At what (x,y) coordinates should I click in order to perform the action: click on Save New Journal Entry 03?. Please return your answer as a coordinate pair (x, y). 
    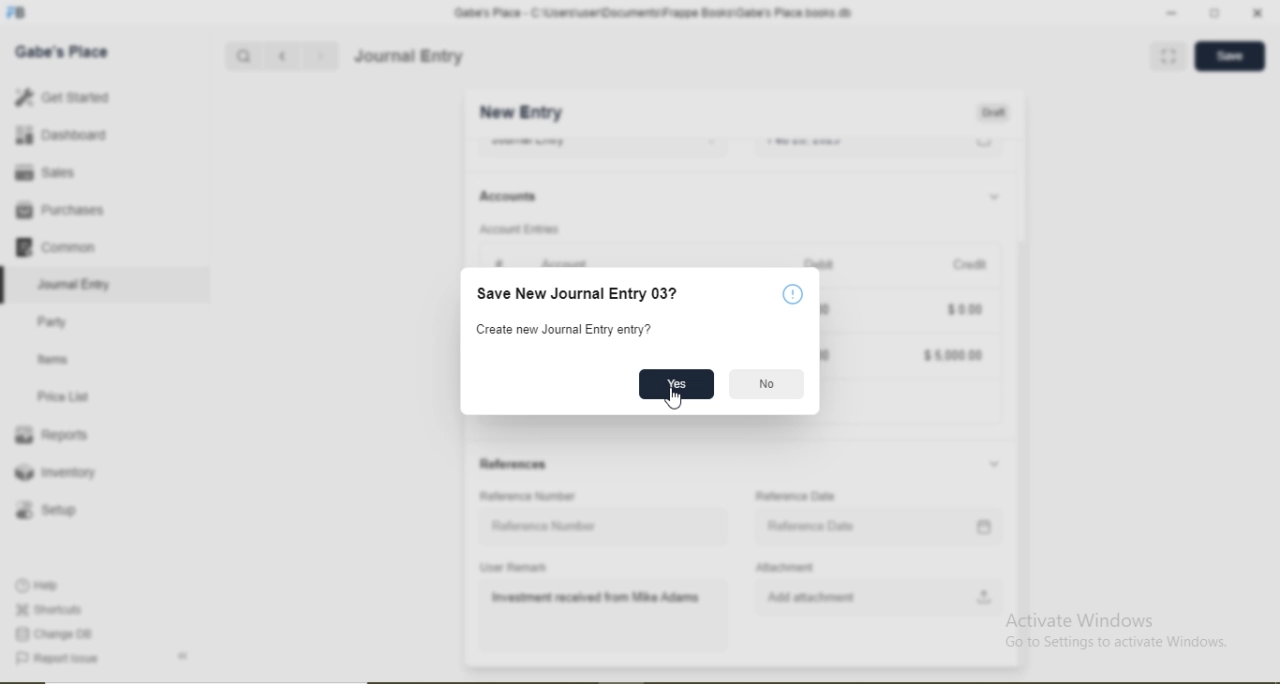
    Looking at the image, I should click on (578, 293).